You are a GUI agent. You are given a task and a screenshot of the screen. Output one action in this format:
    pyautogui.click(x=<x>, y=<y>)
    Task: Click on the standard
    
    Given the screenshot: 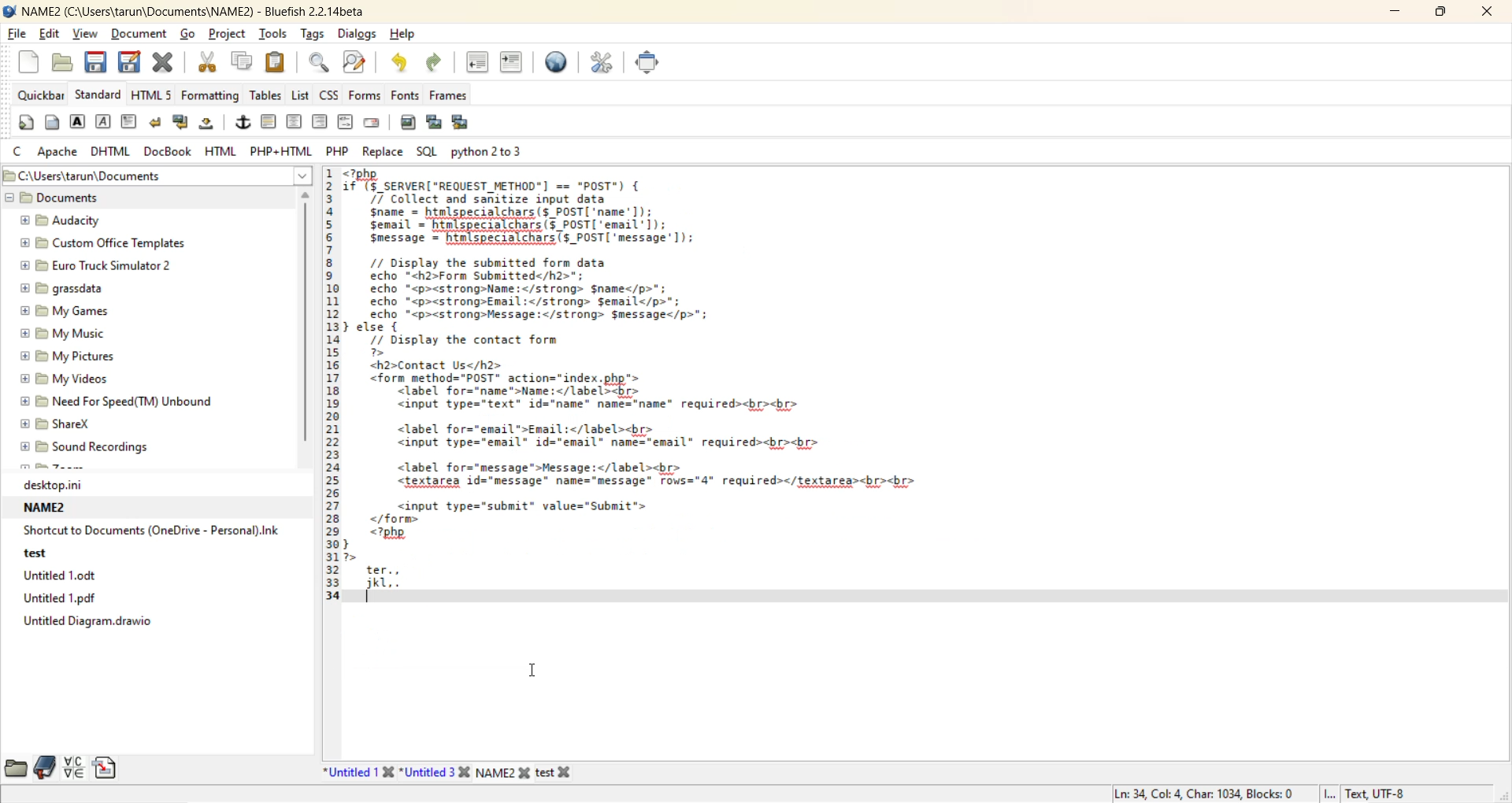 What is the action you would take?
    pyautogui.click(x=99, y=94)
    